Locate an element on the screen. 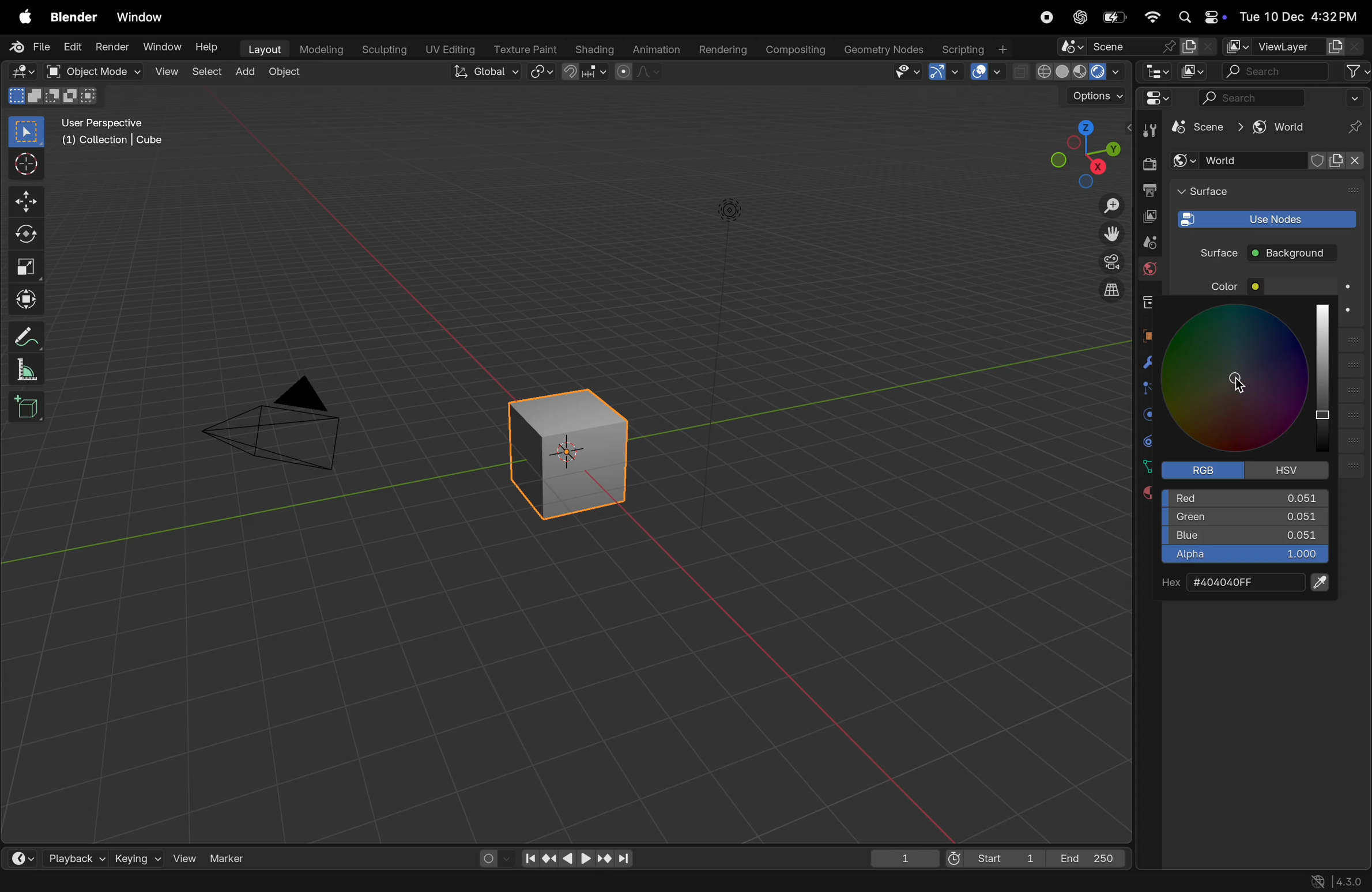 The height and width of the screenshot is (892, 1372). texture paint is located at coordinates (522, 48).